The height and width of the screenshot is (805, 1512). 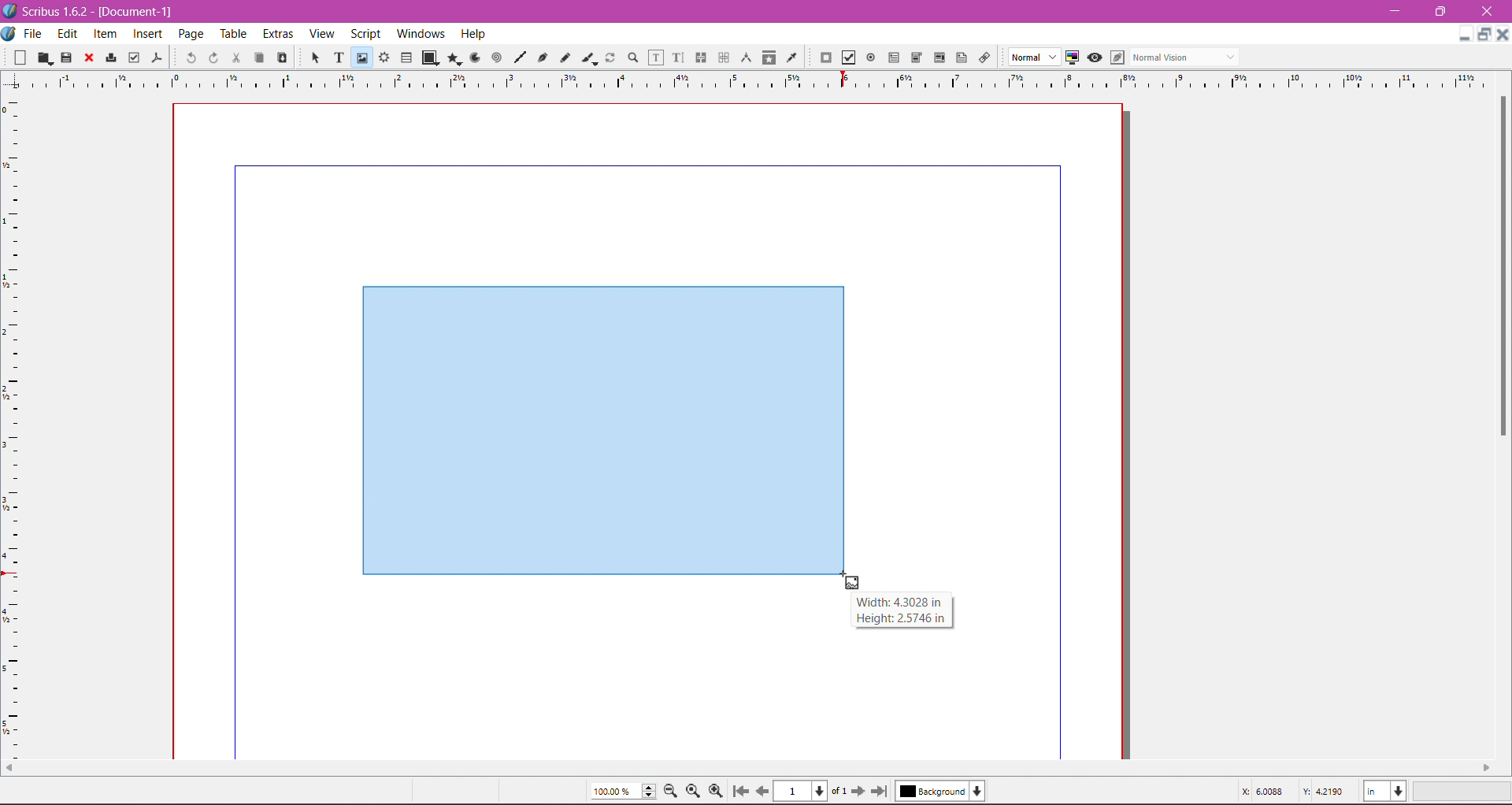 I want to click on Measurements, so click(x=747, y=57).